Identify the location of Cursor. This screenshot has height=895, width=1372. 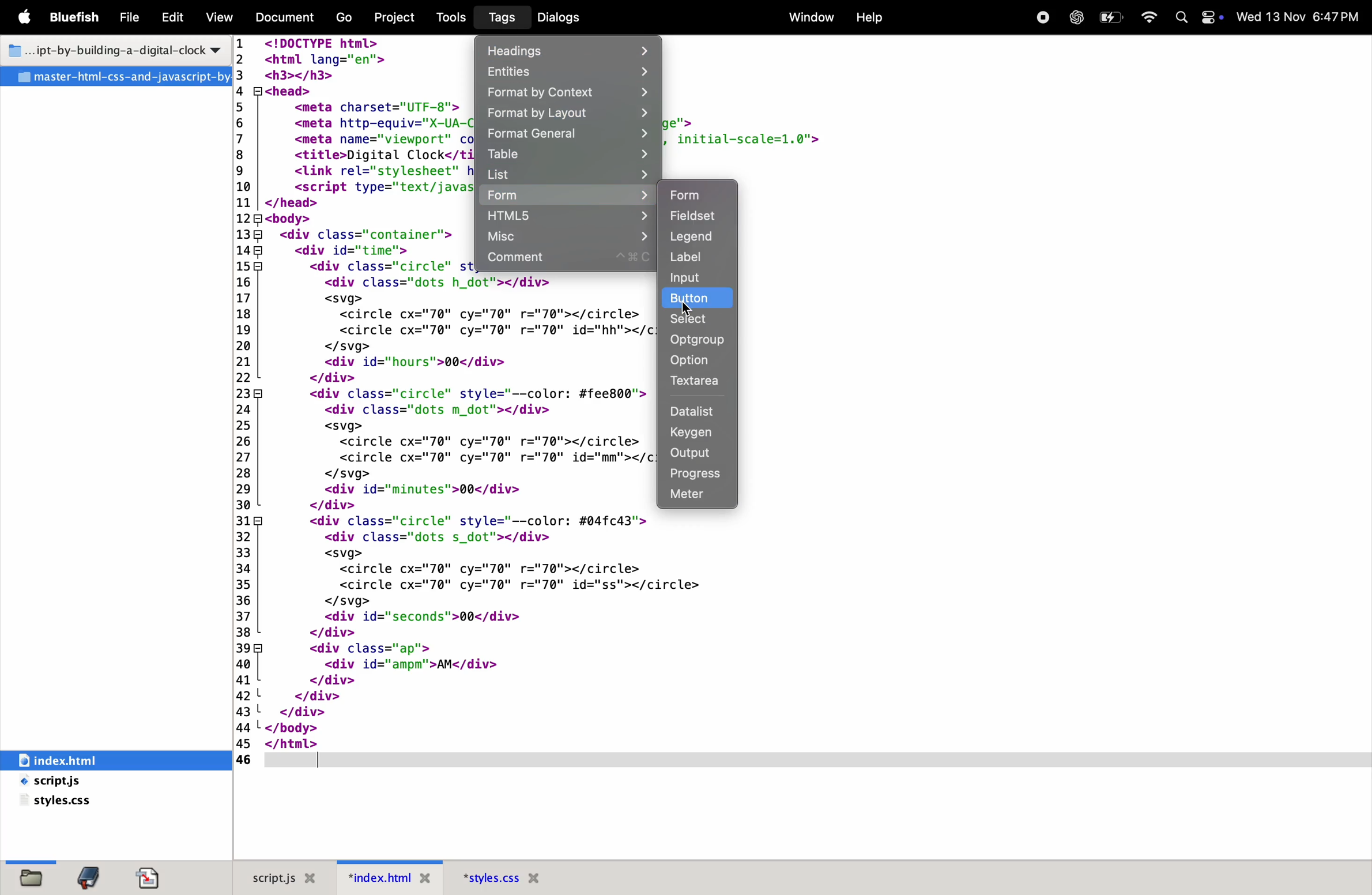
(688, 309).